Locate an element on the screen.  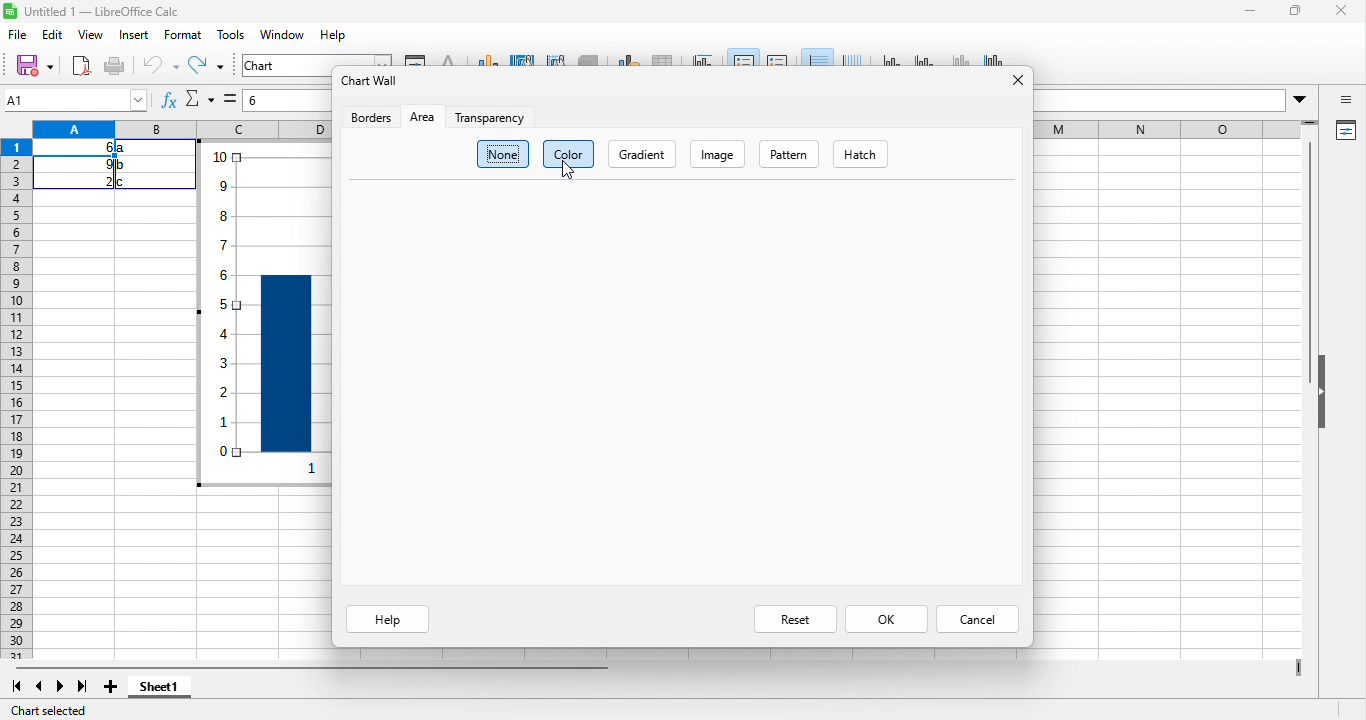
pattern is located at coordinates (791, 154).